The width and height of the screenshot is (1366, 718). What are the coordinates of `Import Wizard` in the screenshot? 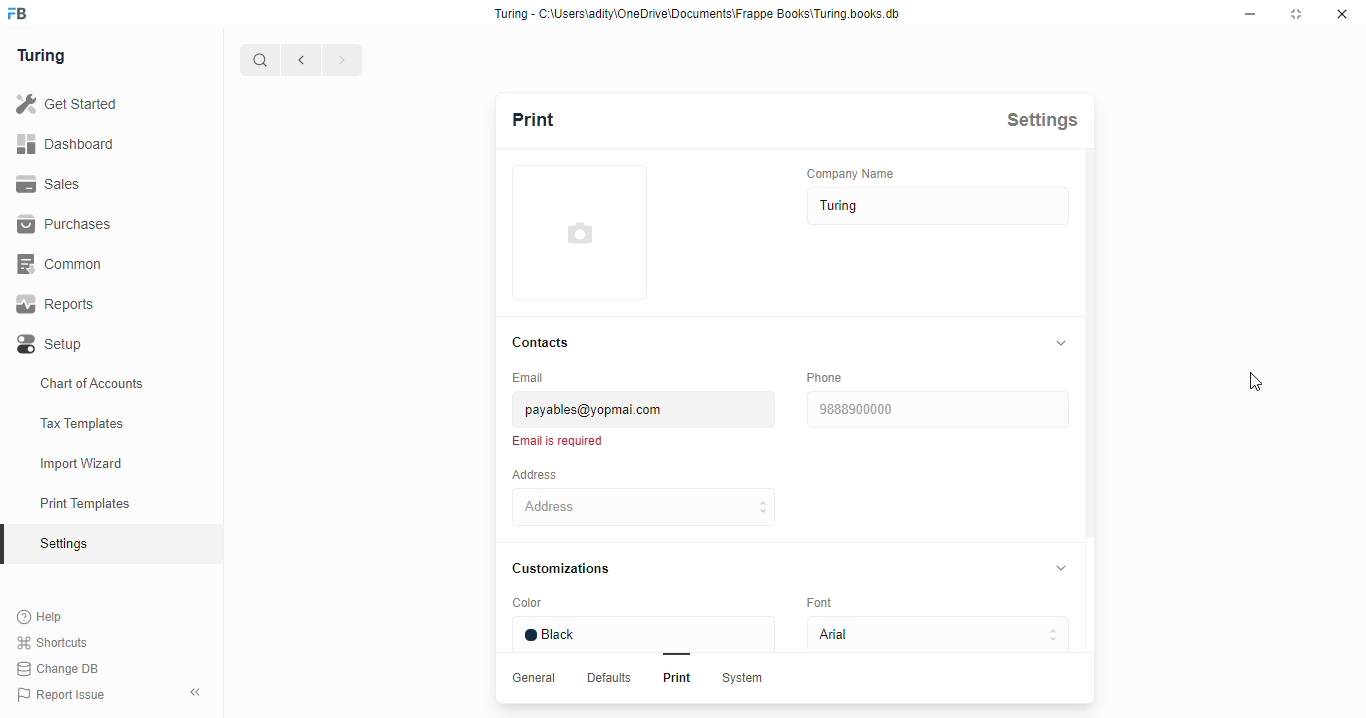 It's located at (108, 462).